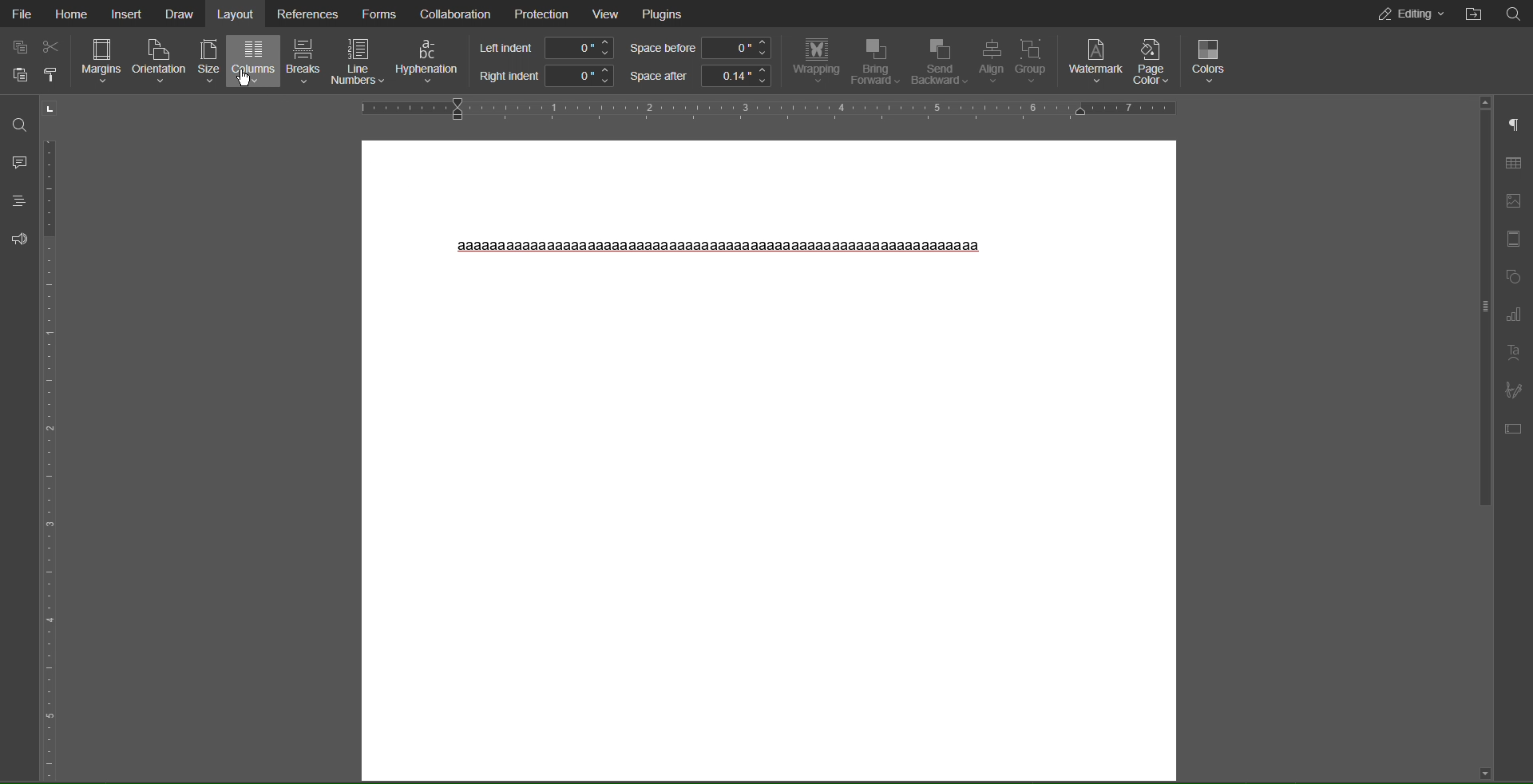 Image resolution: width=1533 pixels, height=784 pixels. Describe the element at coordinates (127, 14) in the screenshot. I see `Insert` at that location.